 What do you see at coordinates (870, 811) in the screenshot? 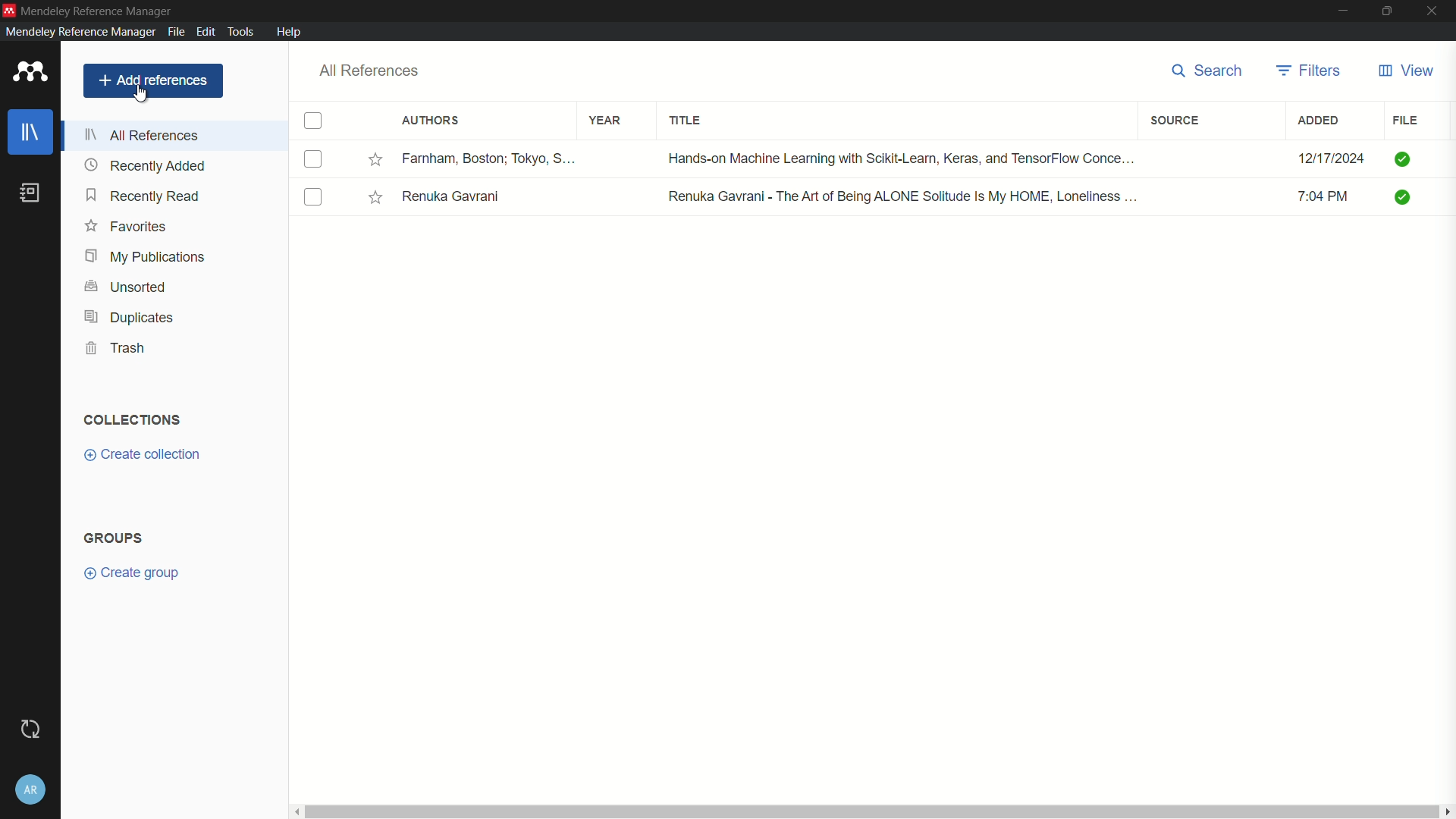
I see `vertical scroll bar` at bounding box center [870, 811].